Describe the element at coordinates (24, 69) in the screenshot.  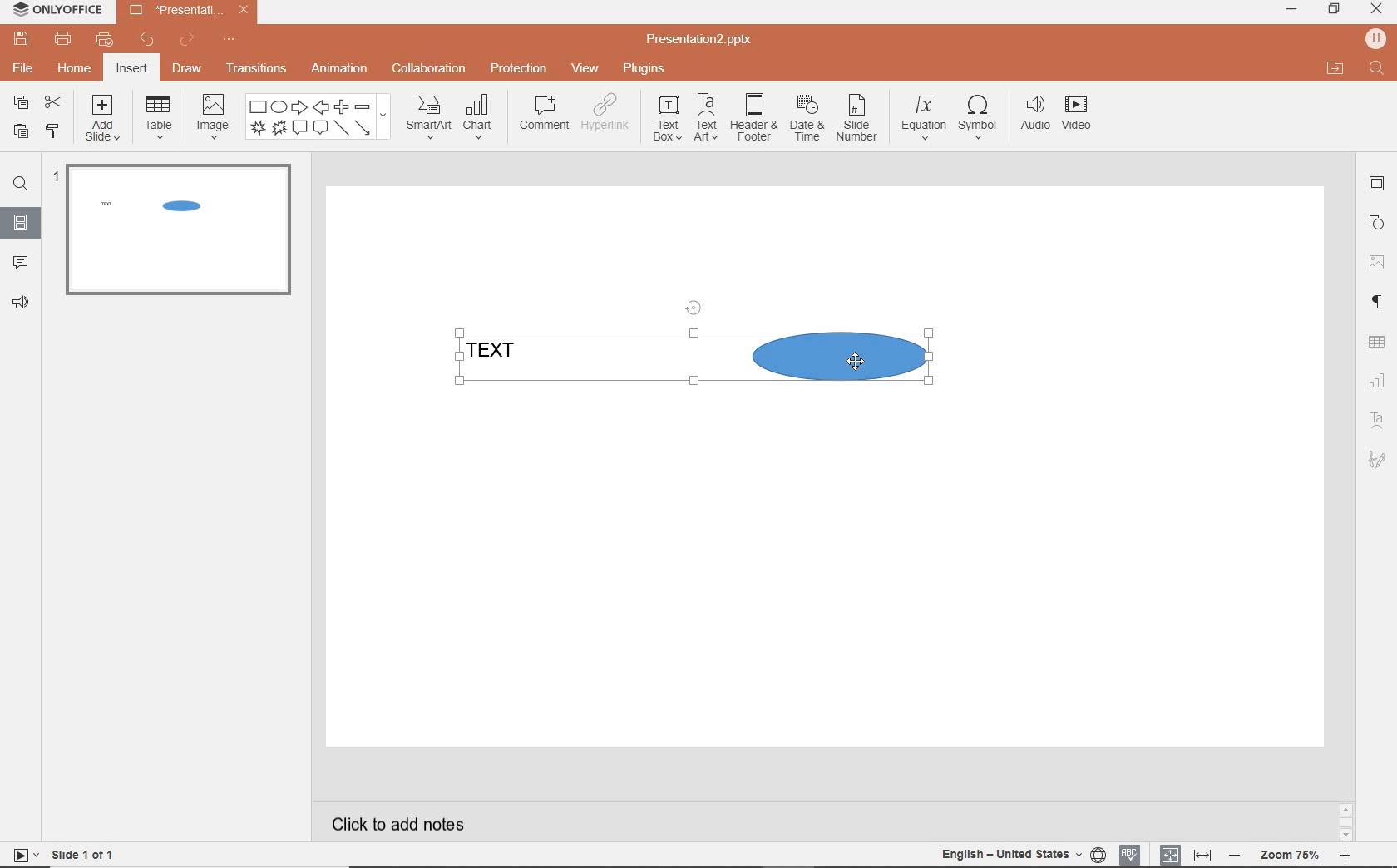
I see `file` at that location.